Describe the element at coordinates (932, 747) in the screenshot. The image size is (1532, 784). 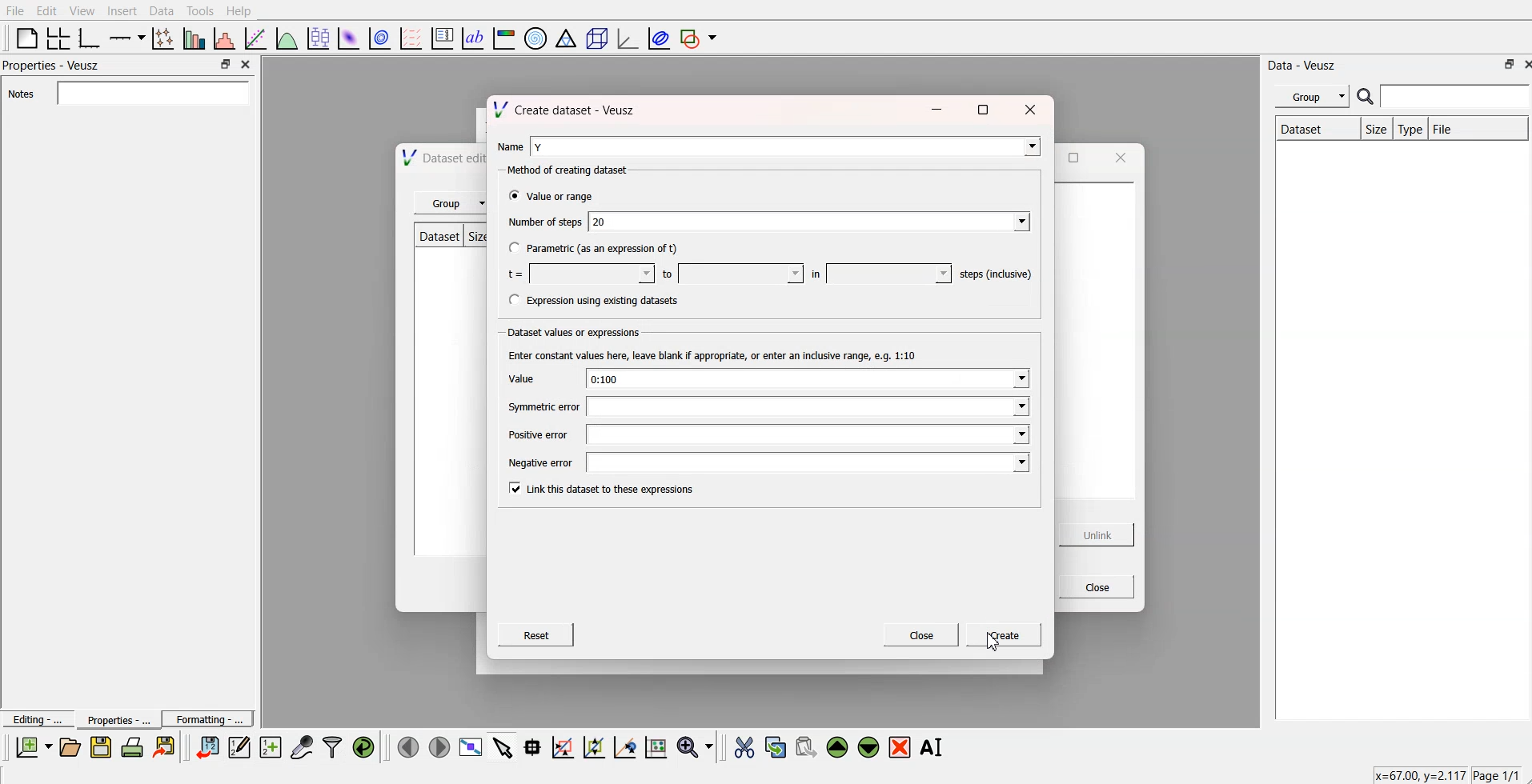
I see `rename the selected widget` at that location.